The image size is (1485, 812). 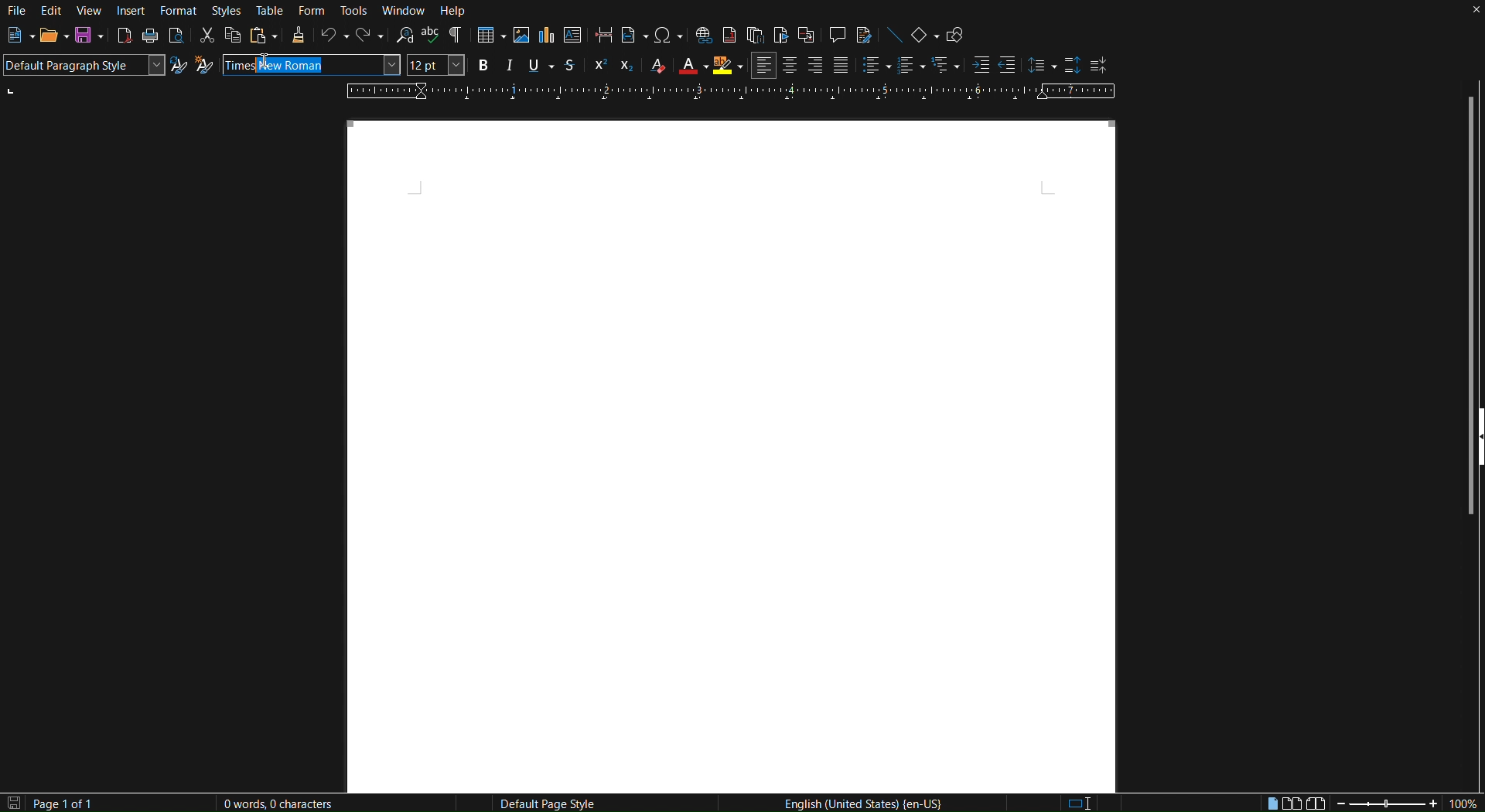 I want to click on Decrease Indent, so click(x=1009, y=66).